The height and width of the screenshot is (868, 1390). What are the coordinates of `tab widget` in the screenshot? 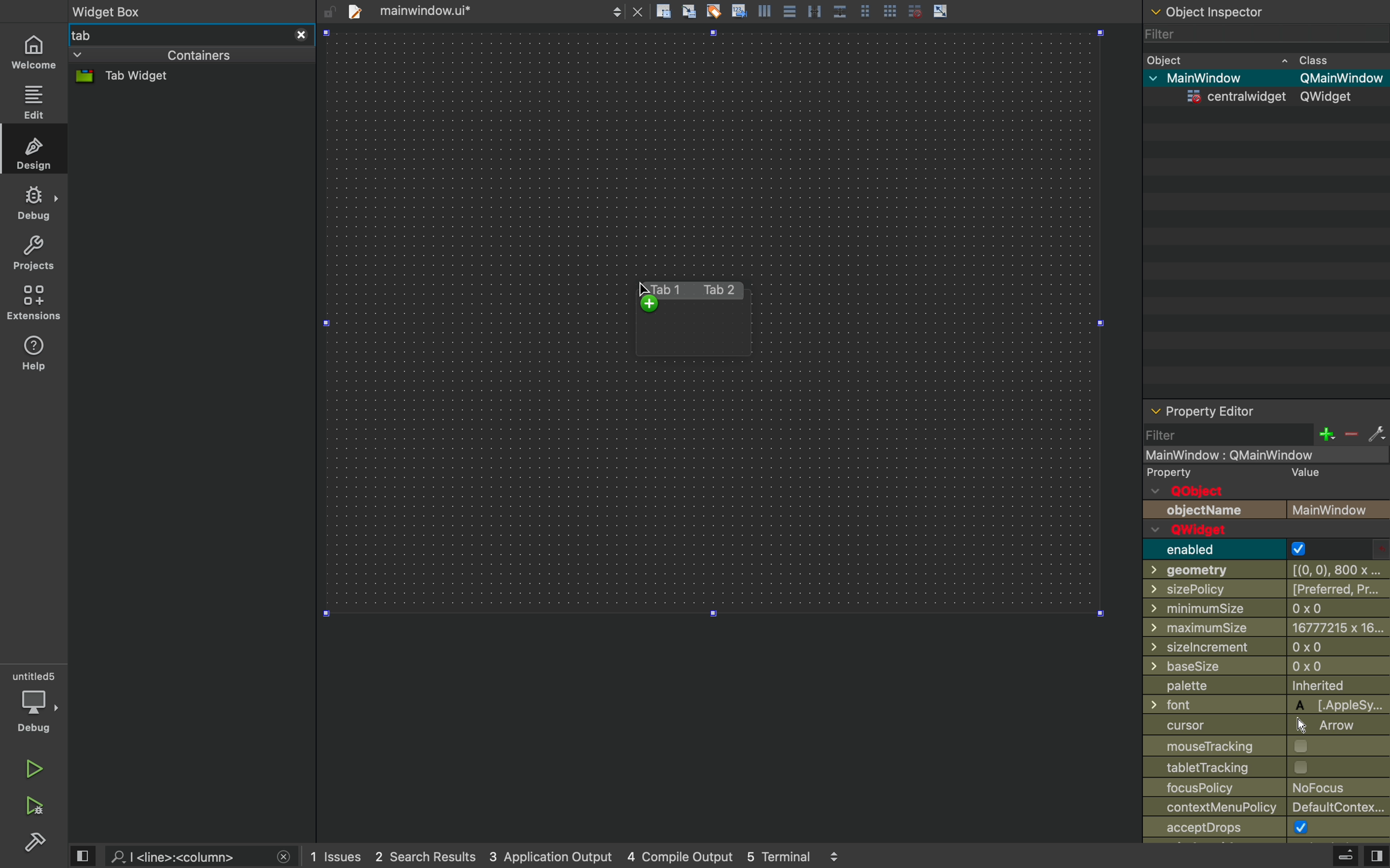 It's located at (143, 77).